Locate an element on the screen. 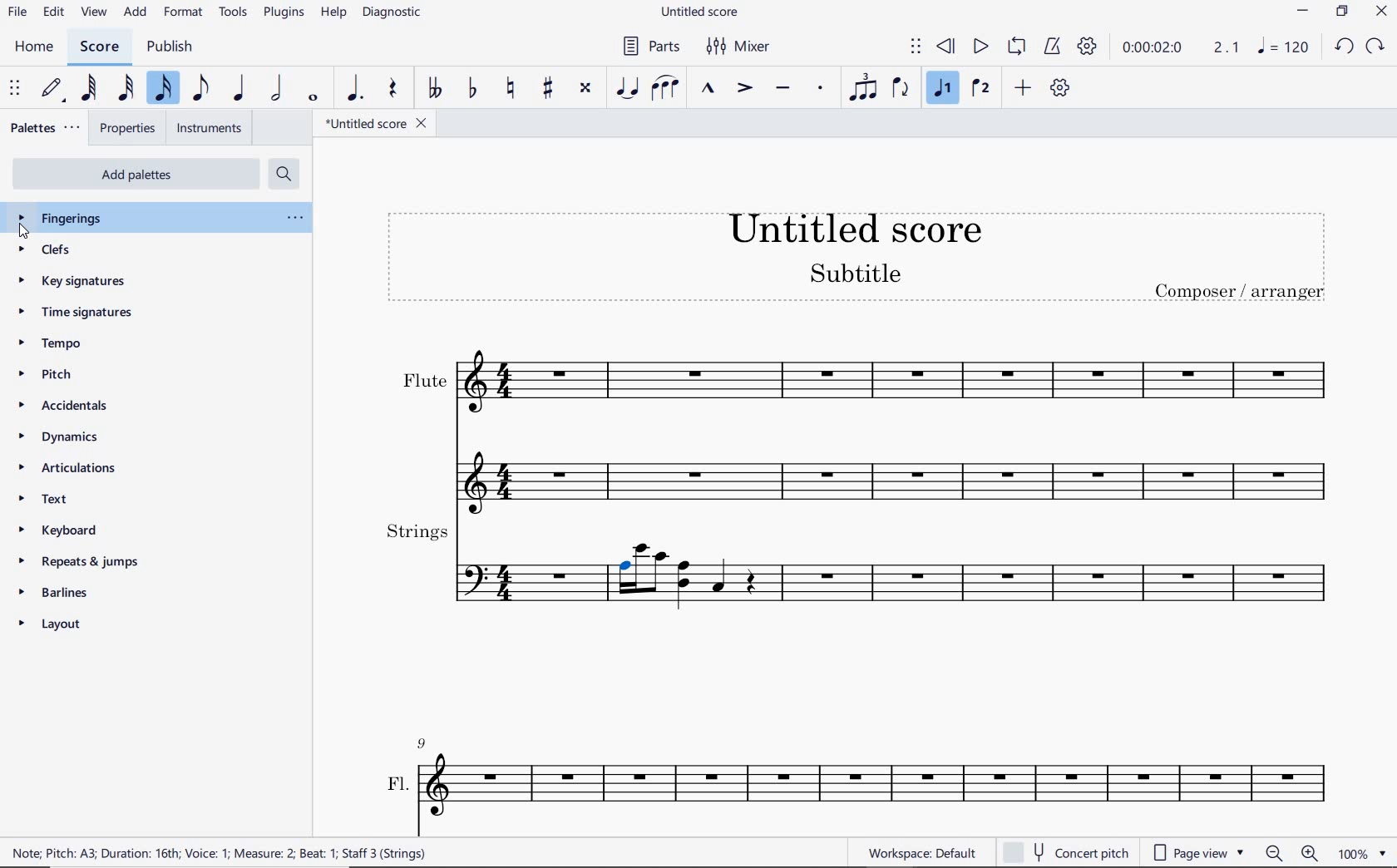  title is located at coordinates (855, 254).